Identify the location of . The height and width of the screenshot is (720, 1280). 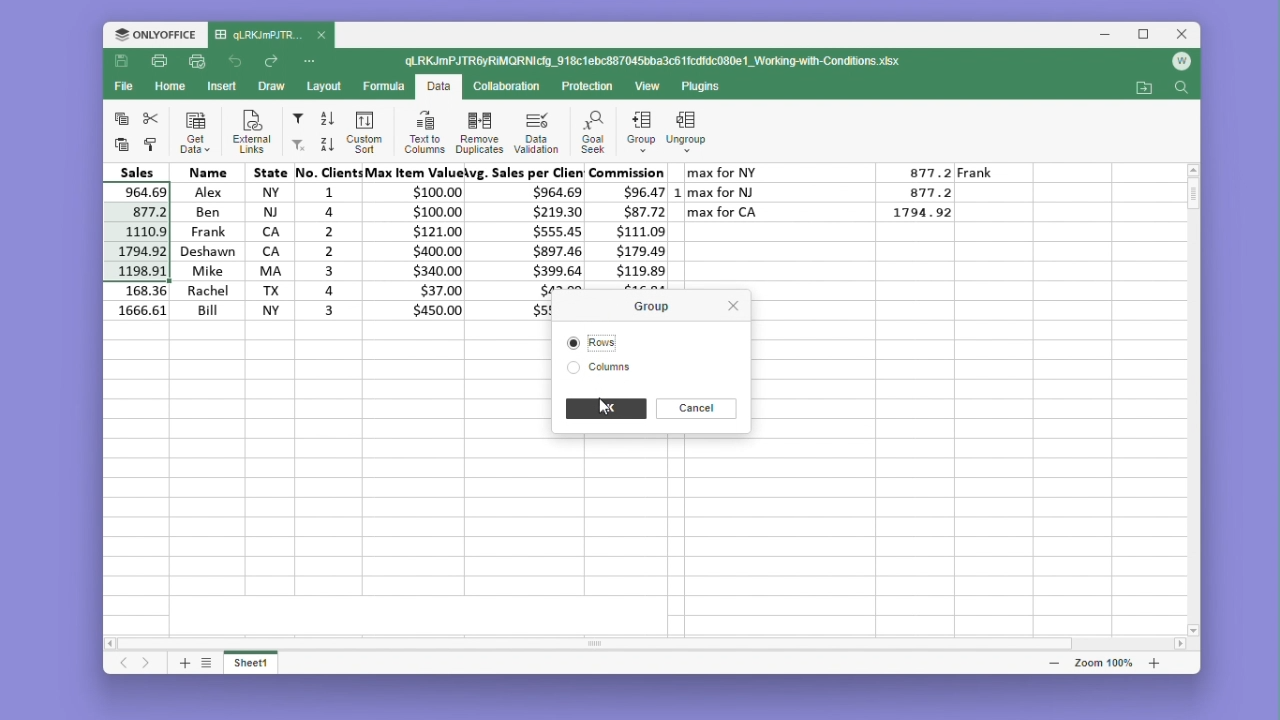
(172, 86).